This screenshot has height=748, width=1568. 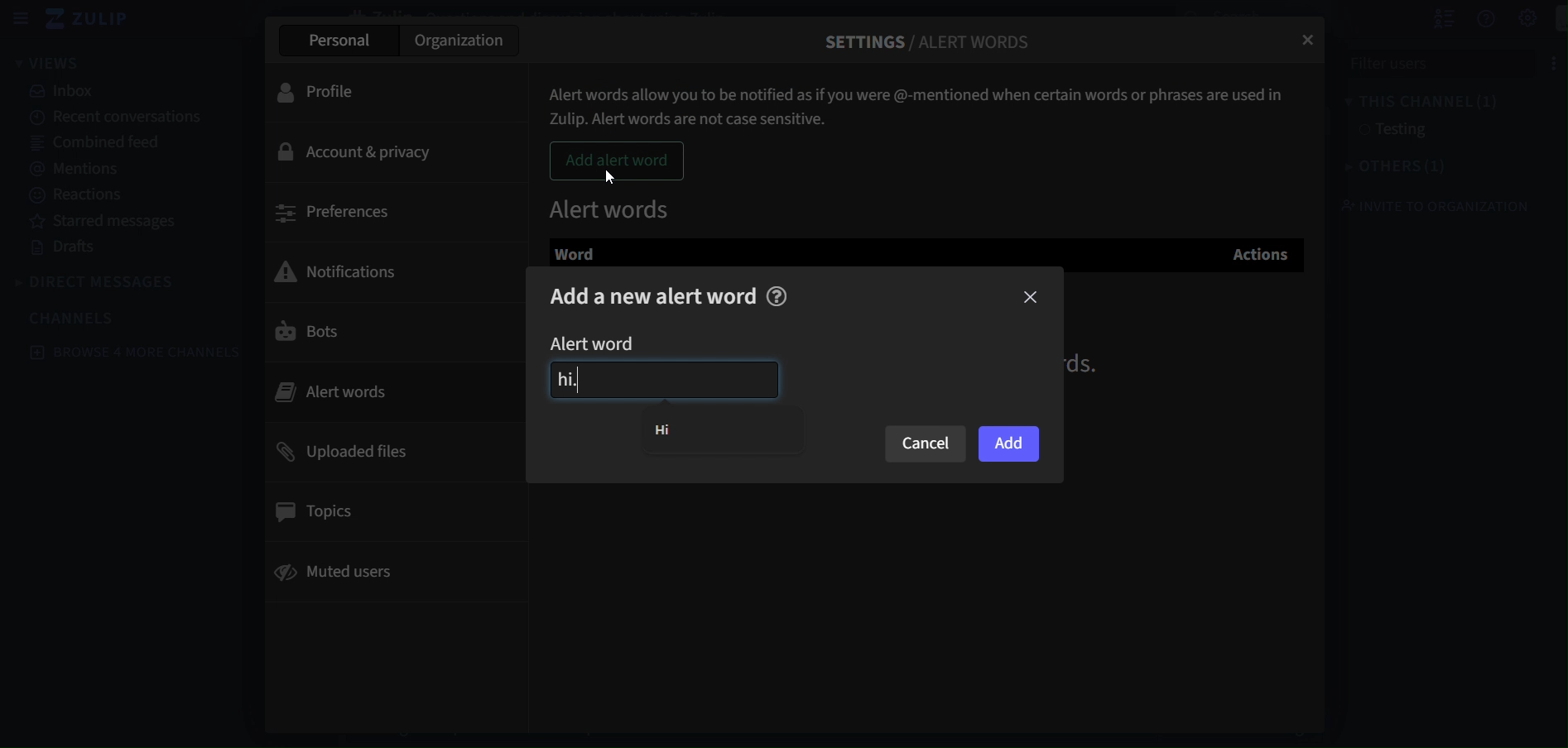 What do you see at coordinates (1092, 363) in the screenshot?
I see `ds` at bounding box center [1092, 363].